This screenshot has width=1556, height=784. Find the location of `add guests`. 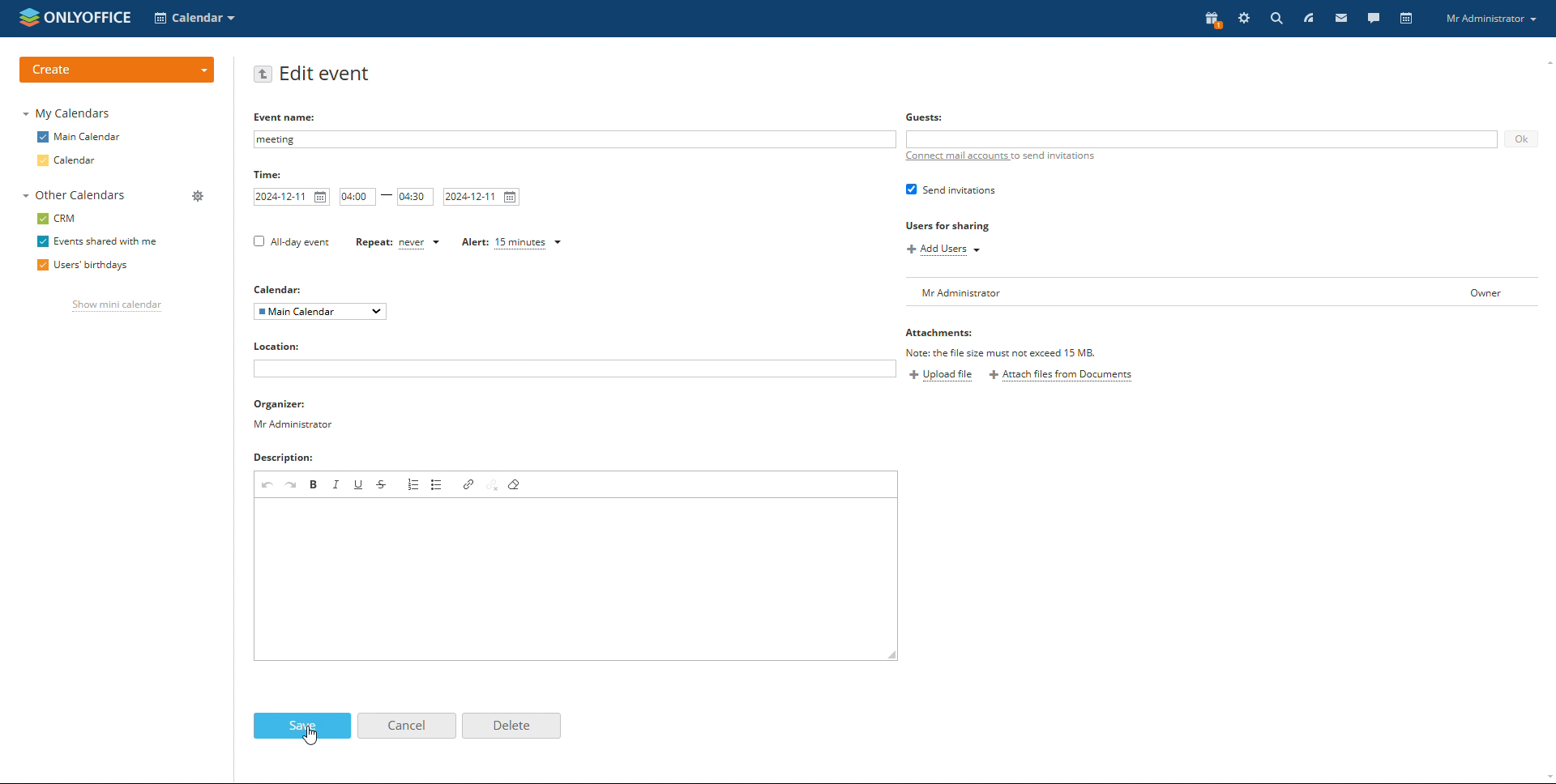

add guests is located at coordinates (1202, 139).